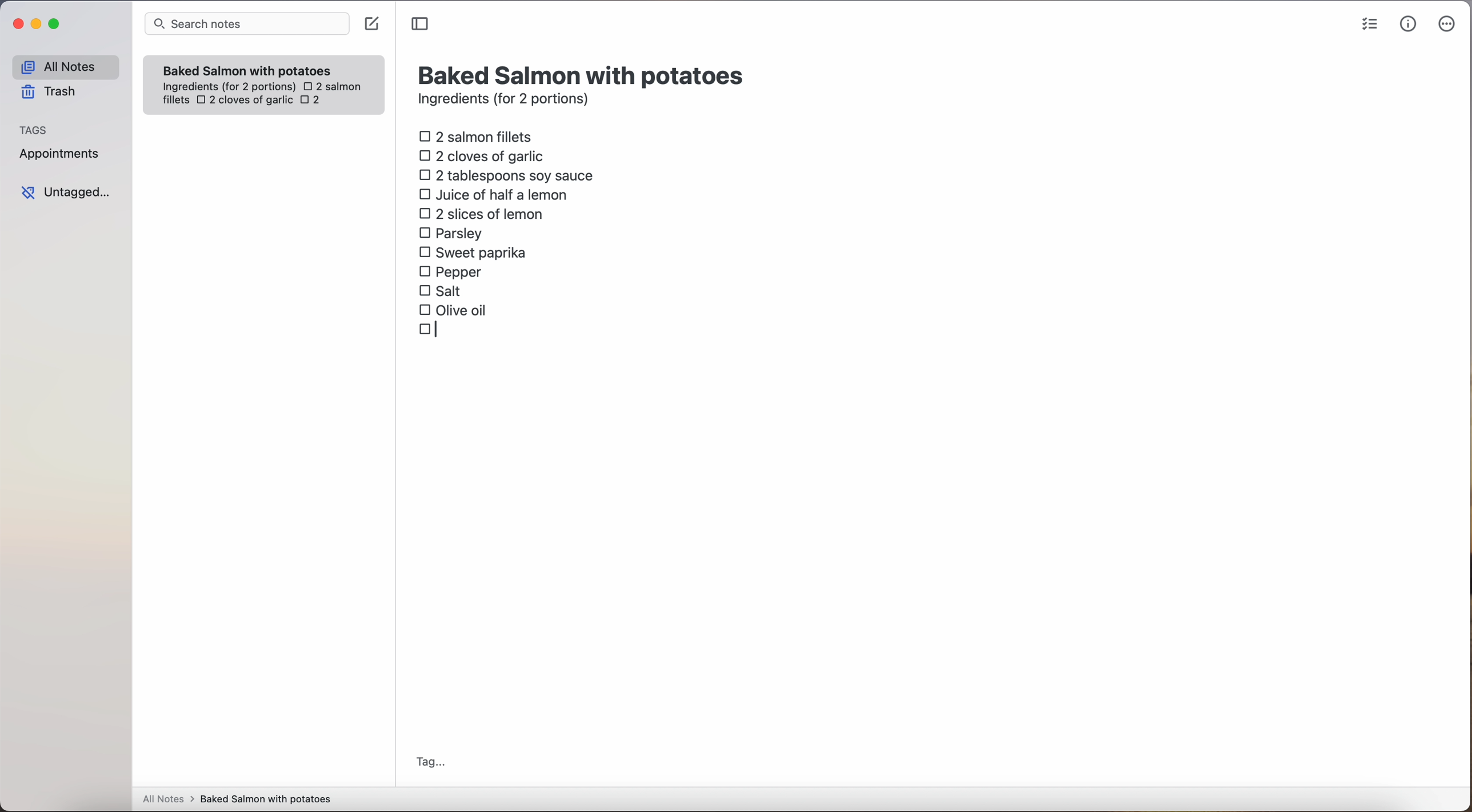  I want to click on 2 cloves of garlic, so click(245, 101).